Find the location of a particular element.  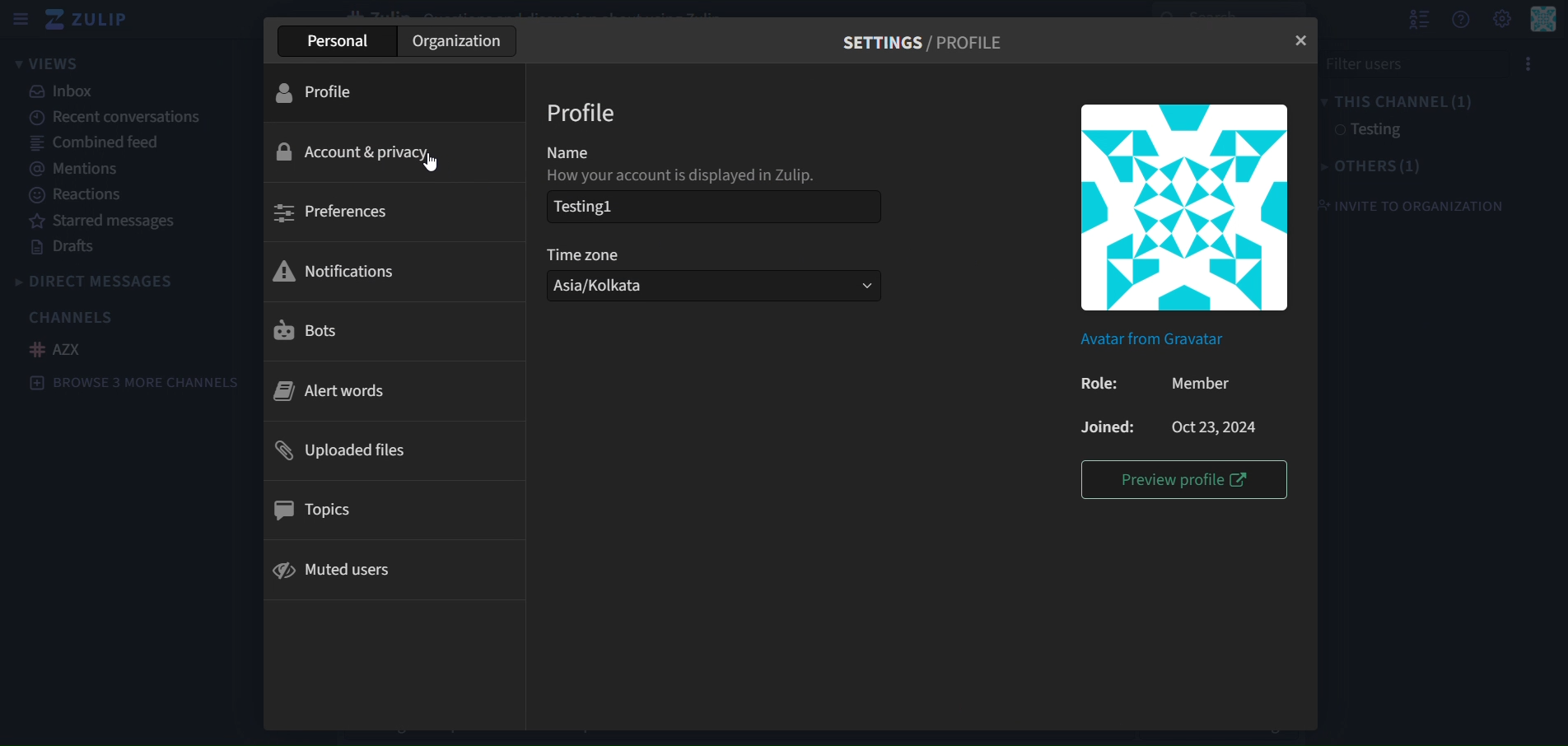

topics is located at coordinates (316, 510).